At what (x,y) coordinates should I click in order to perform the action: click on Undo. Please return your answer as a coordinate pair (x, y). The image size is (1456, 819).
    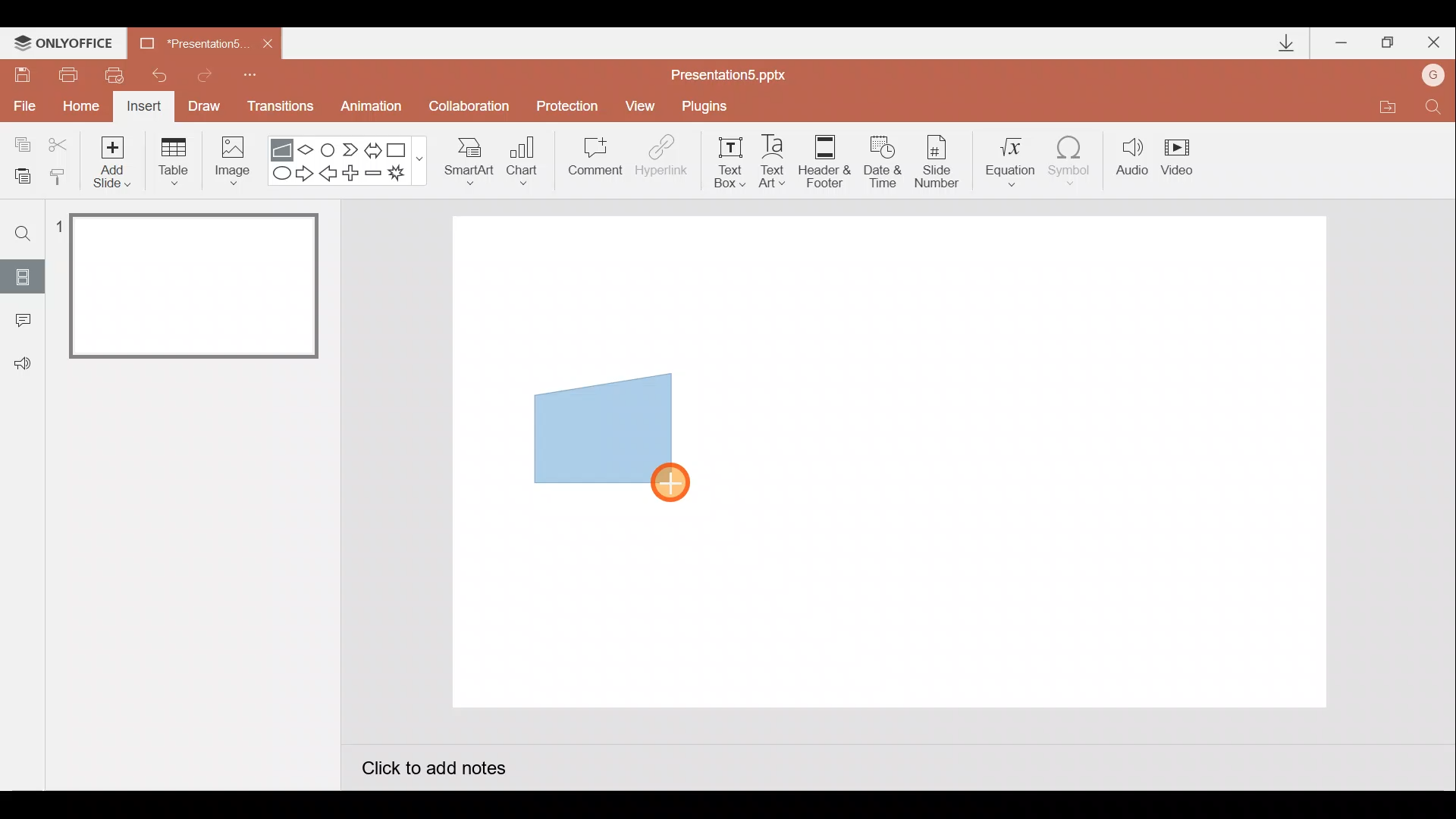
    Looking at the image, I should click on (162, 75).